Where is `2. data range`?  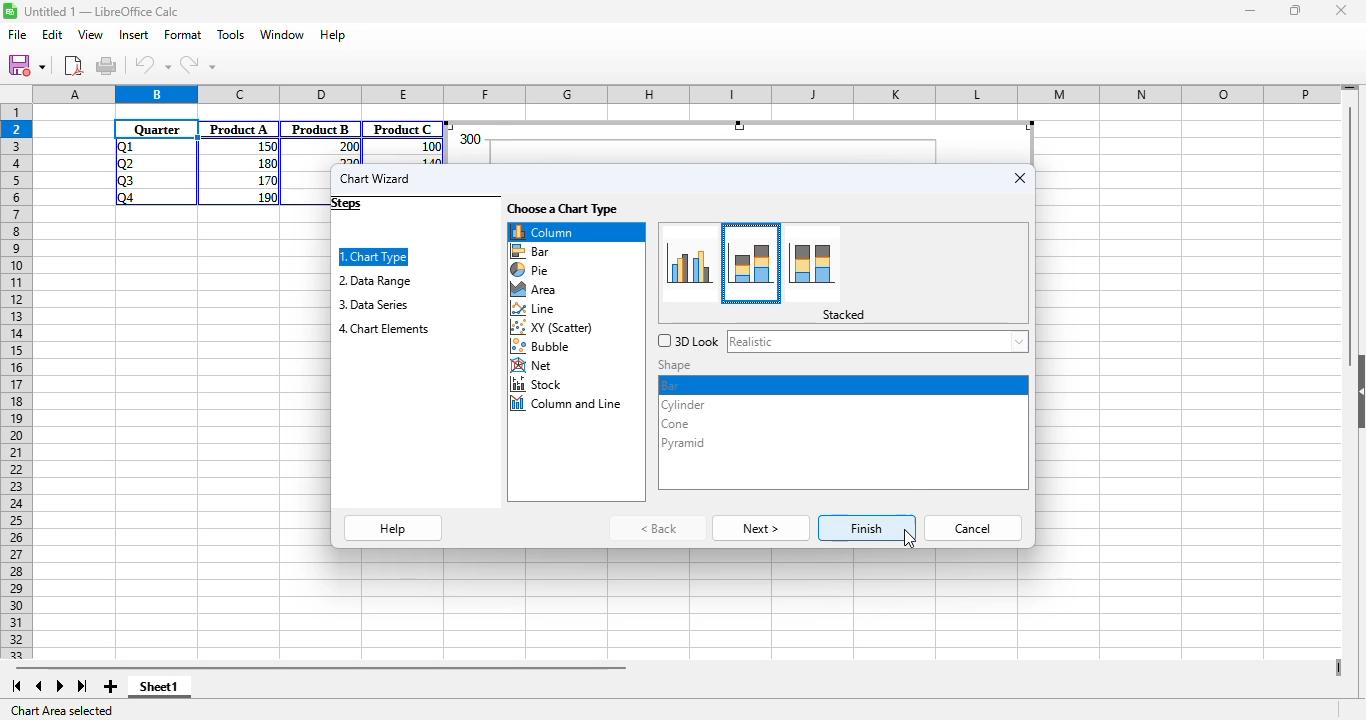
2. data range is located at coordinates (375, 280).